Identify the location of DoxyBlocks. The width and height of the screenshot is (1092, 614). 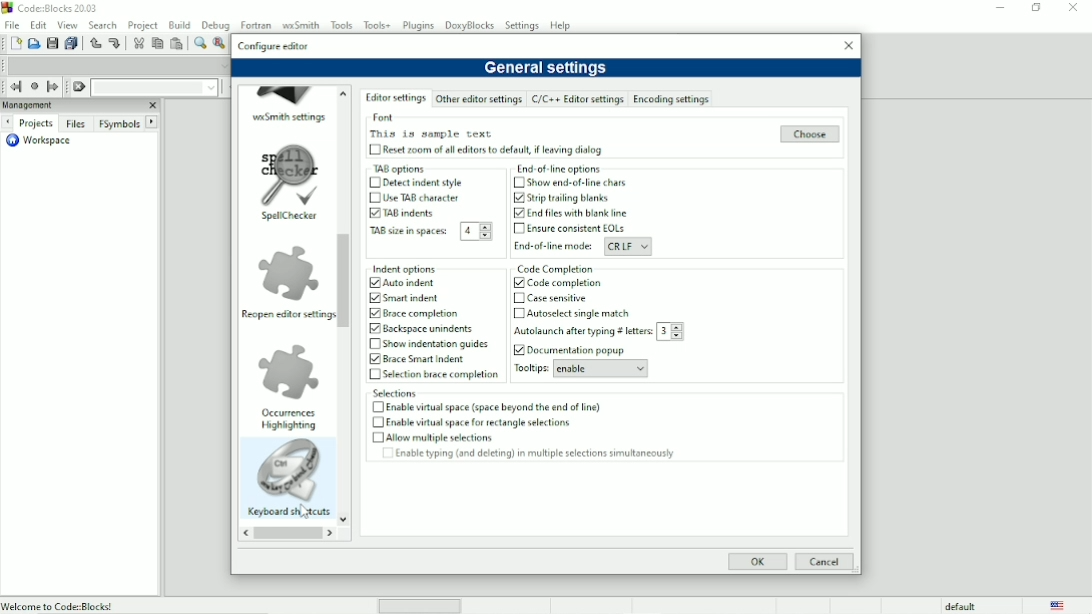
(470, 25).